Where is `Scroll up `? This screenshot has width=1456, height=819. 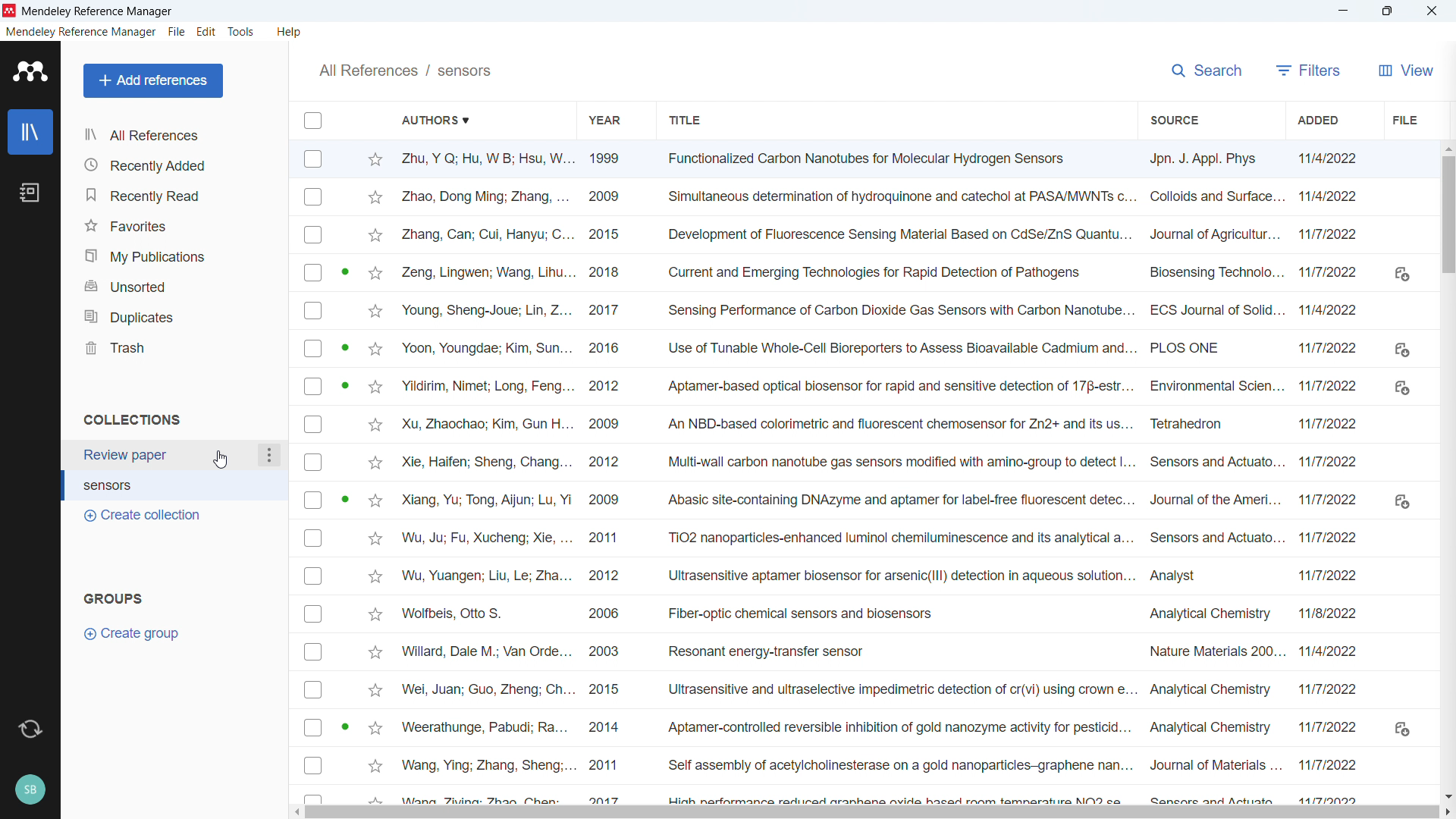 Scroll up  is located at coordinates (1447, 147).